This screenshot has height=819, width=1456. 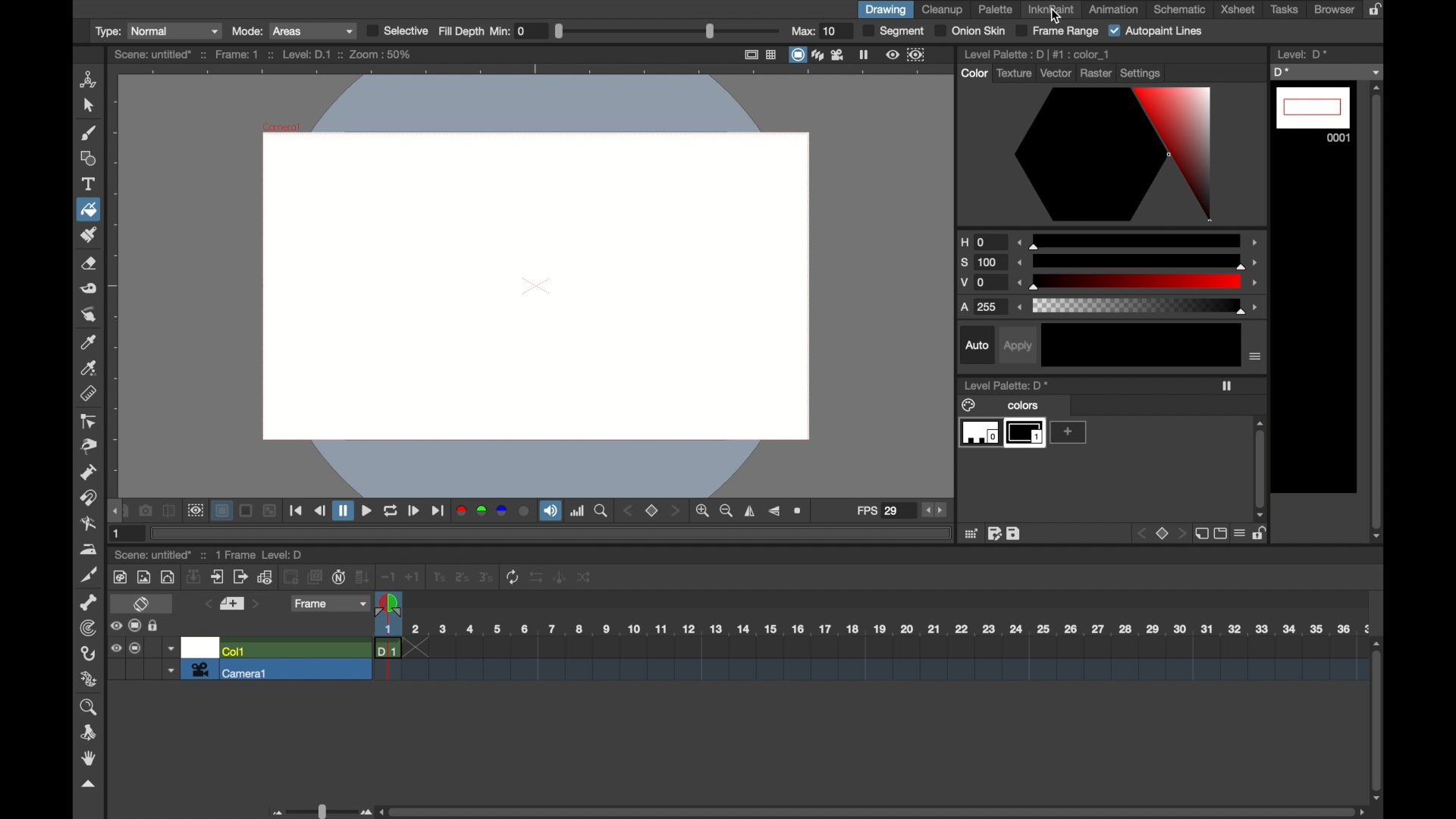 I want to click on scene scale, so click(x=871, y=630).